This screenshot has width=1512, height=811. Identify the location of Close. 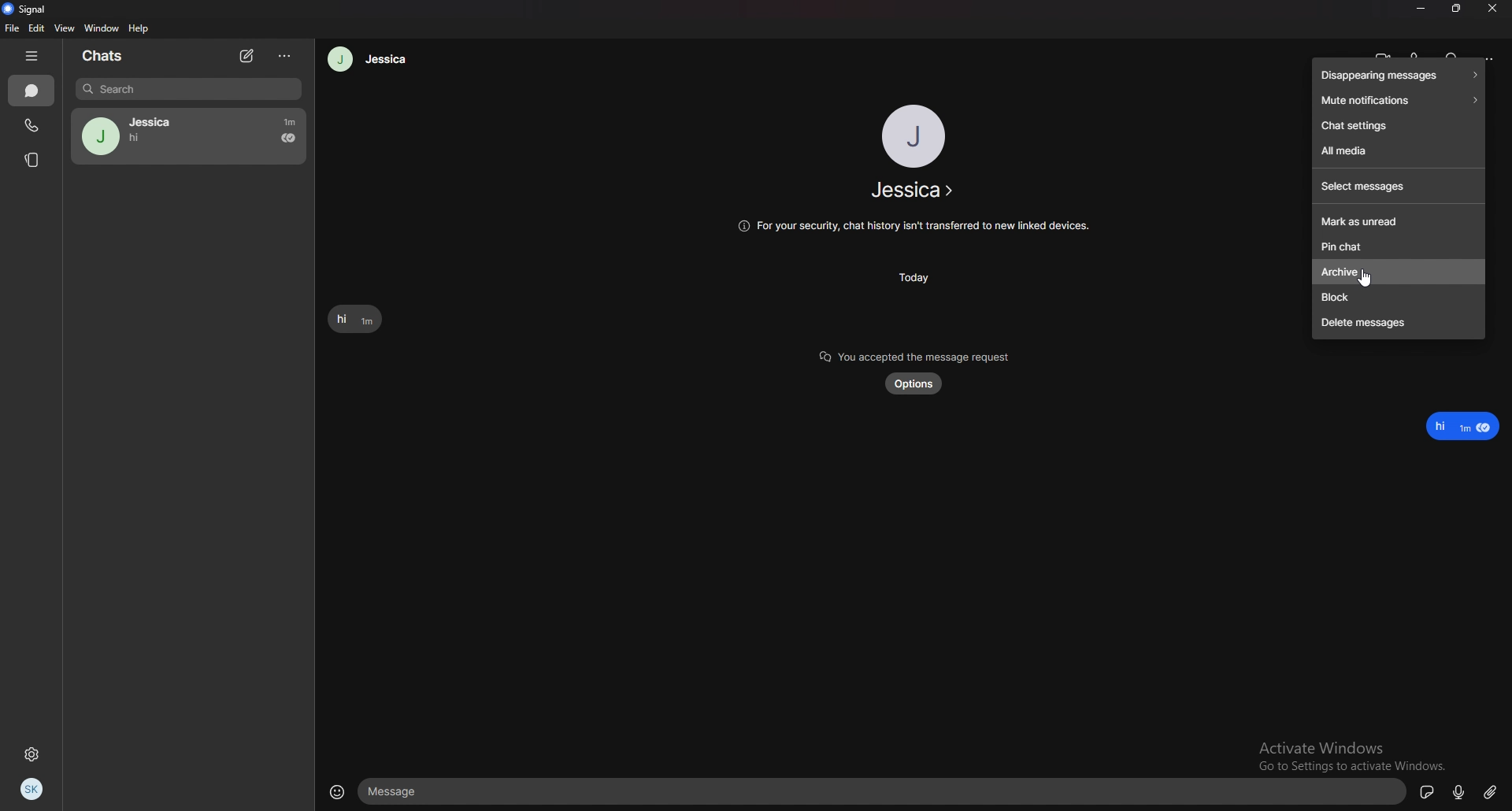
(1492, 9).